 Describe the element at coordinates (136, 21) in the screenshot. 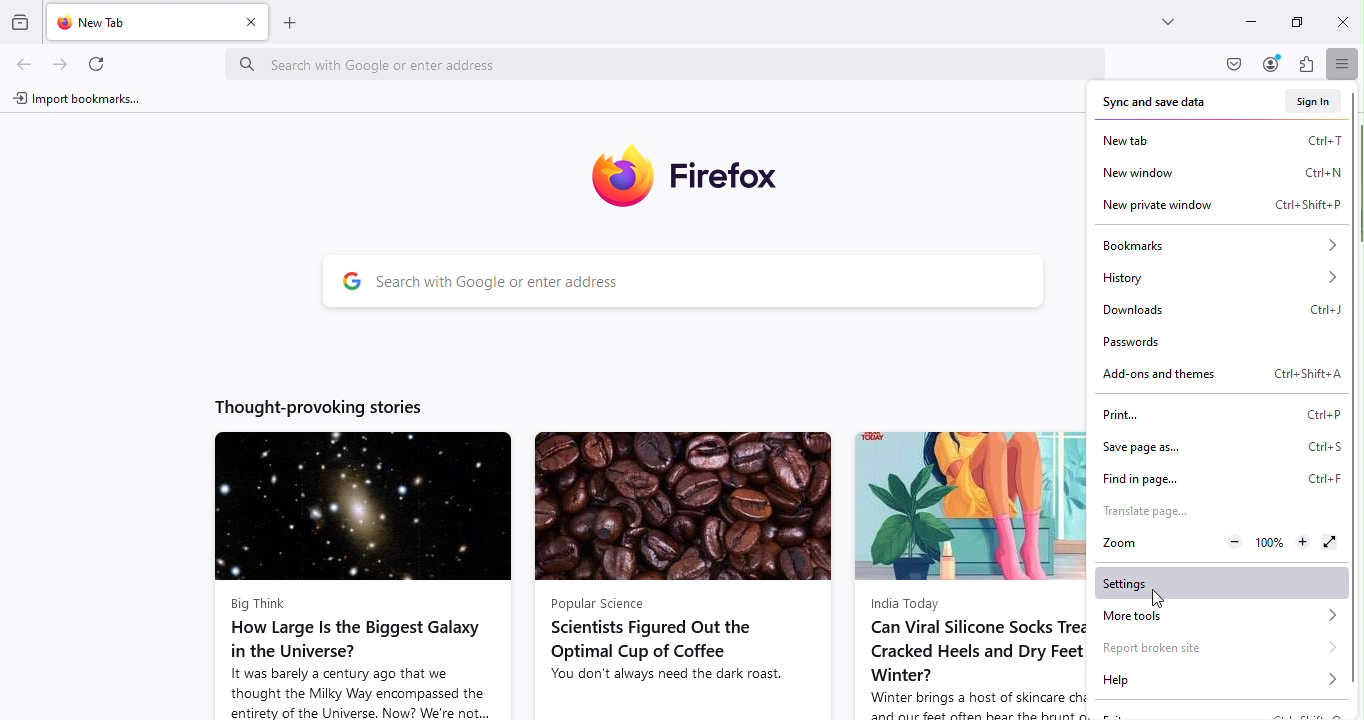

I see `New tab` at that location.